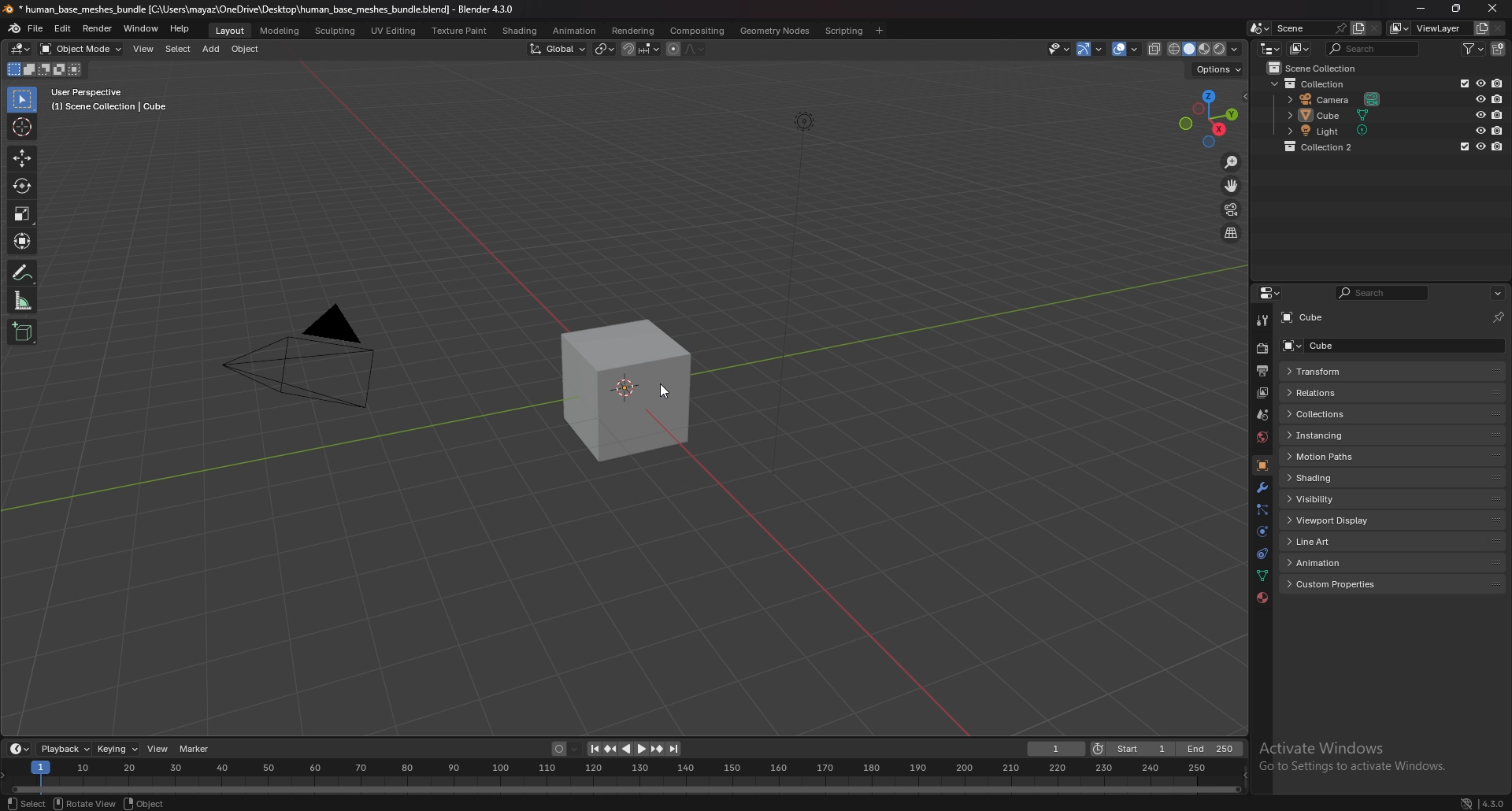 This screenshot has width=1512, height=811. Describe the element at coordinates (610, 749) in the screenshot. I see `jump to keyframe` at that location.